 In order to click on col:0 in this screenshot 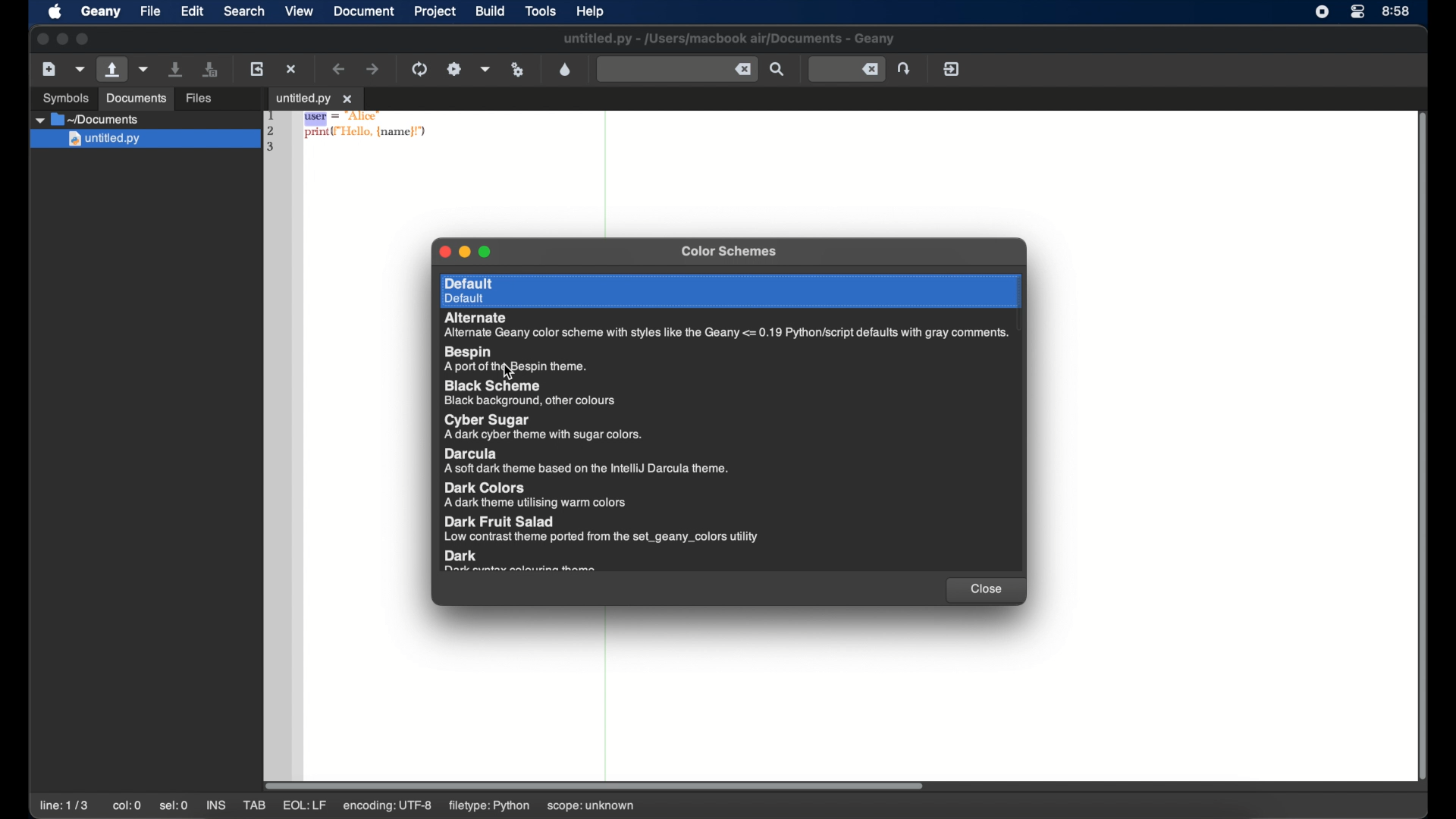, I will do `click(127, 806)`.